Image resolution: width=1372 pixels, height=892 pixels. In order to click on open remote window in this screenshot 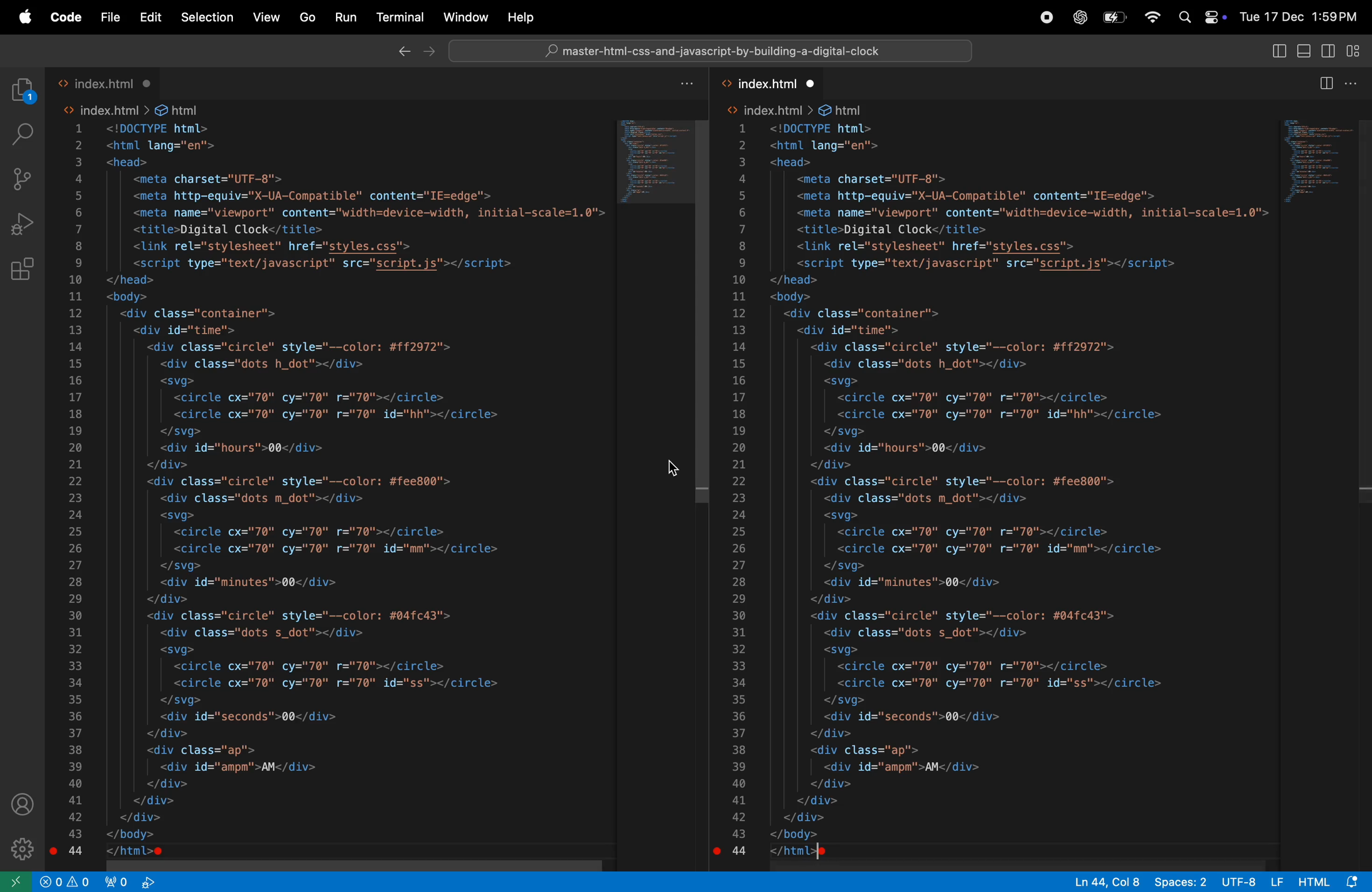, I will do `click(16, 881)`.